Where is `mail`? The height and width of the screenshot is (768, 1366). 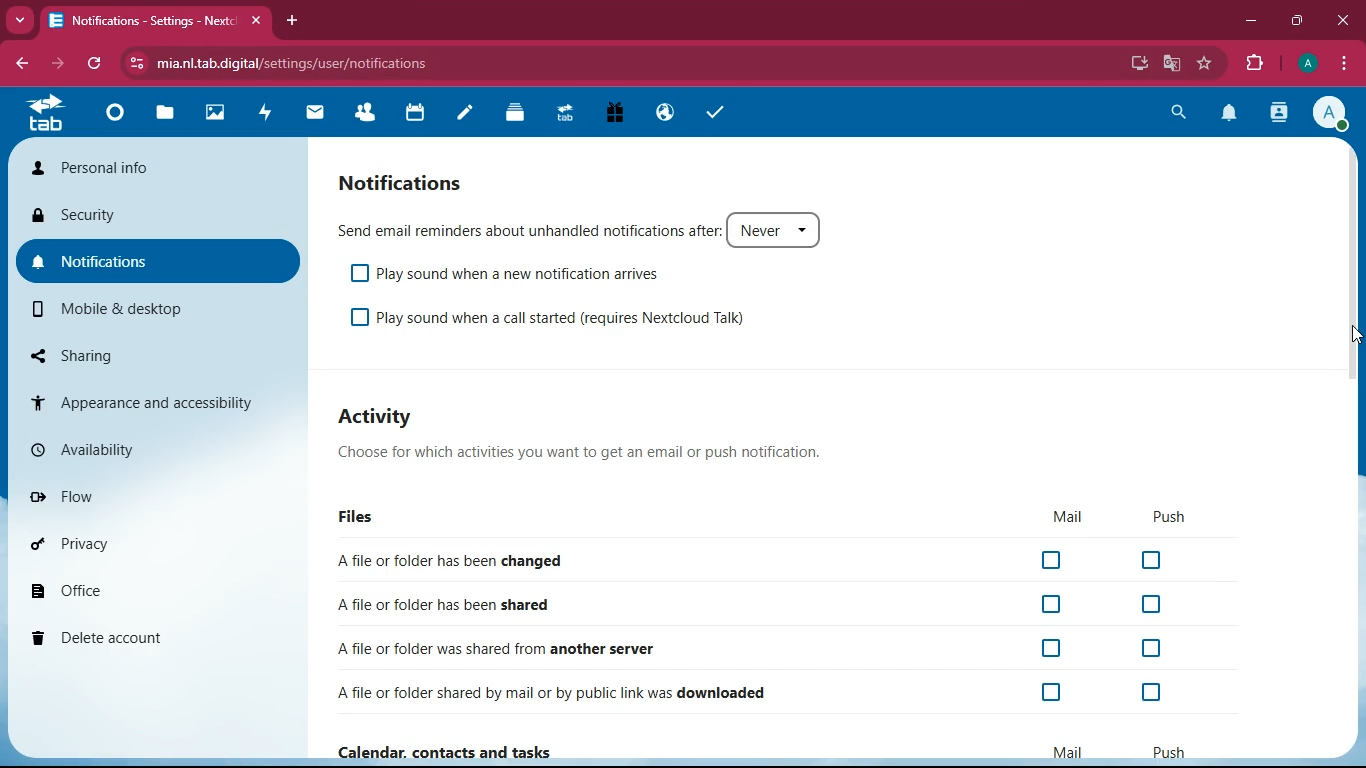
mail is located at coordinates (316, 114).